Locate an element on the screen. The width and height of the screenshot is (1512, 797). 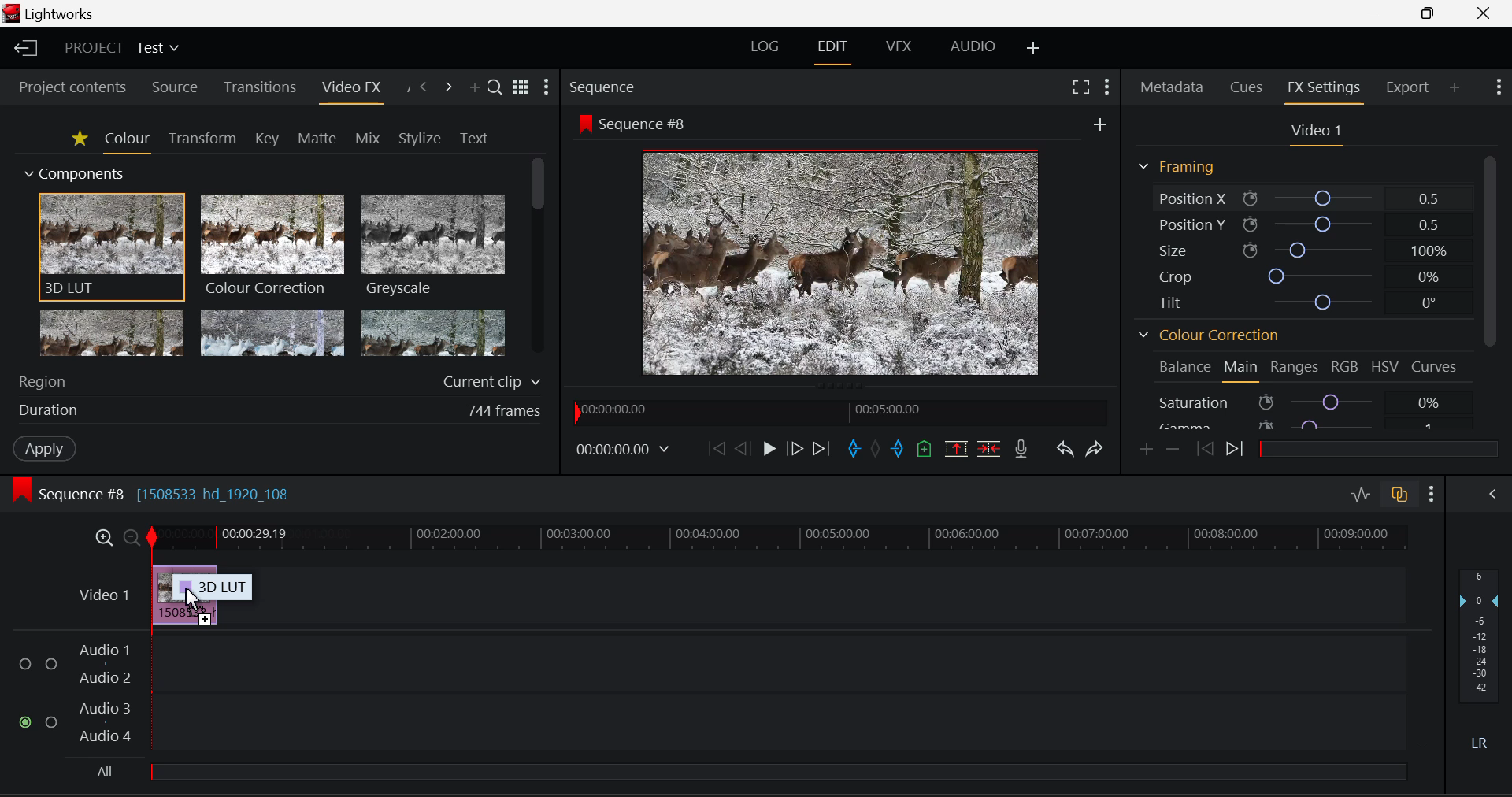
Colour Correction is located at coordinates (273, 246).